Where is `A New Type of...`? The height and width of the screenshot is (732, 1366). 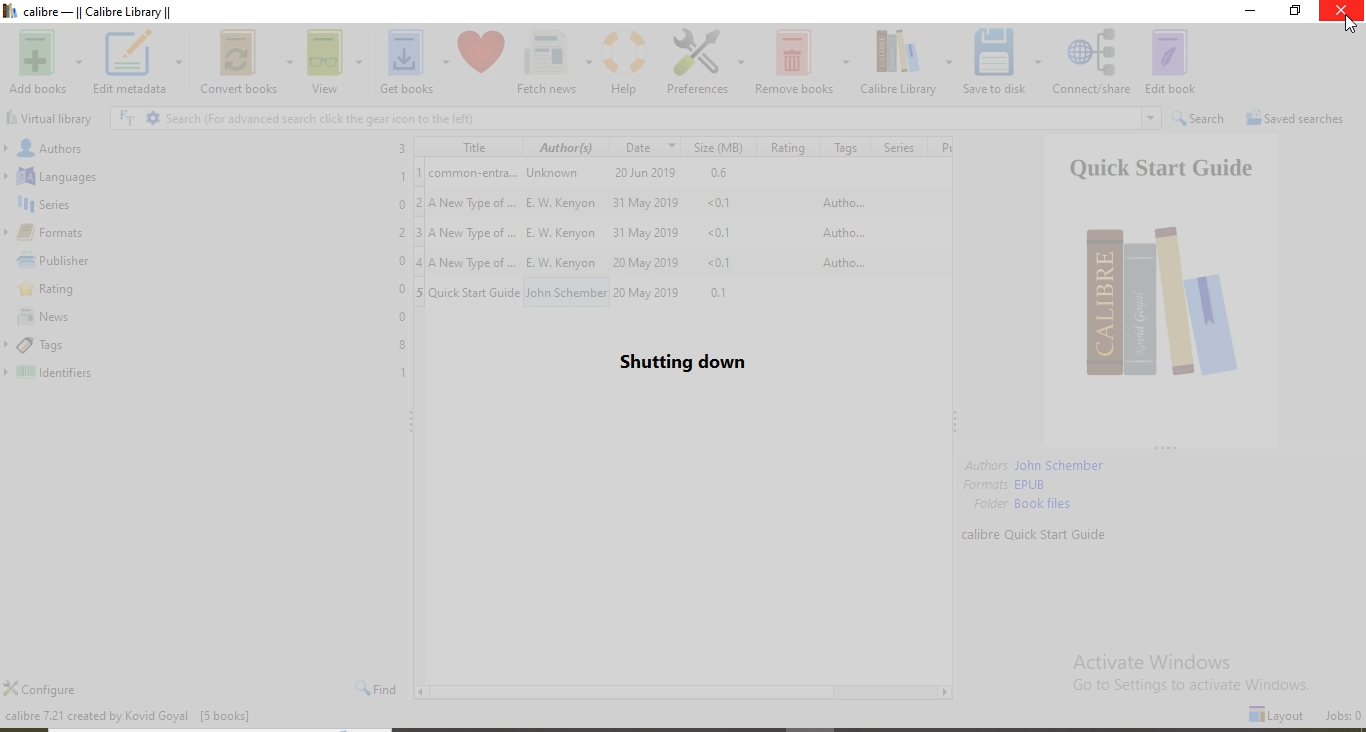 A New Type of... is located at coordinates (475, 233).